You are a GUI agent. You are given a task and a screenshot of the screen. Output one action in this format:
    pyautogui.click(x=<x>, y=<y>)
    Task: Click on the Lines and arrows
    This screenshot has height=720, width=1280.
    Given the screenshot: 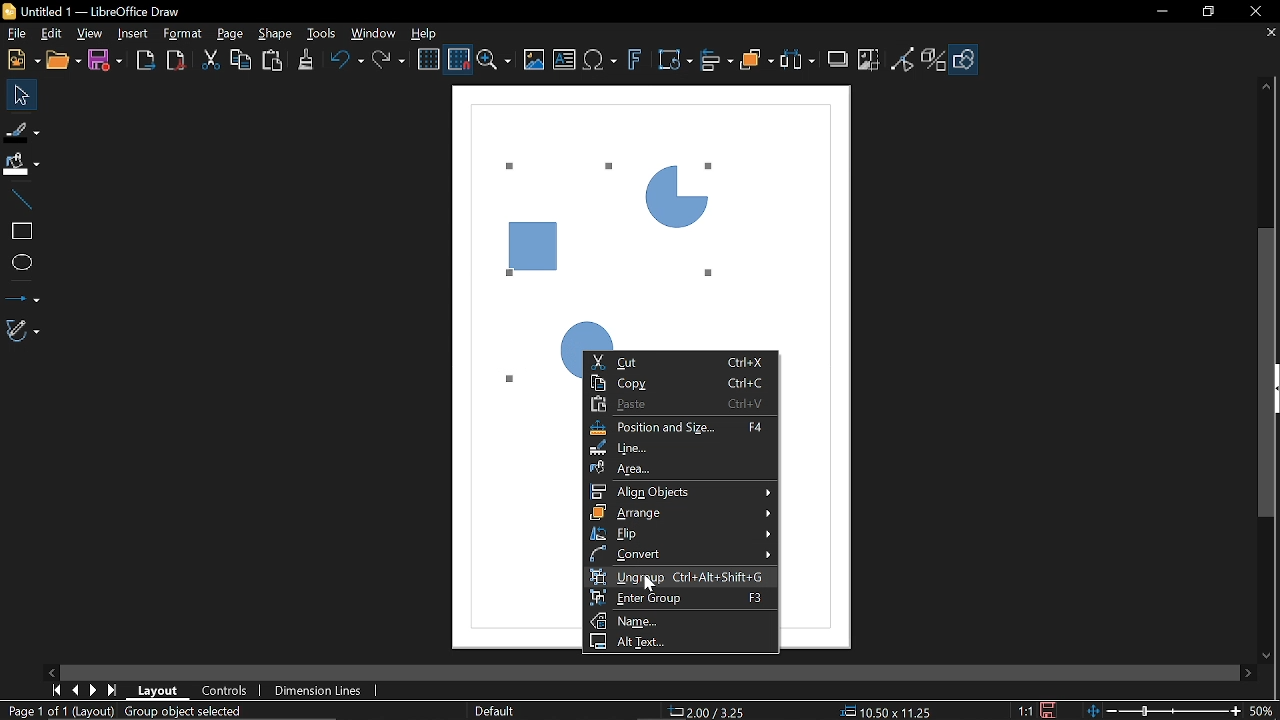 What is the action you would take?
    pyautogui.click(x=24, y=295)
    